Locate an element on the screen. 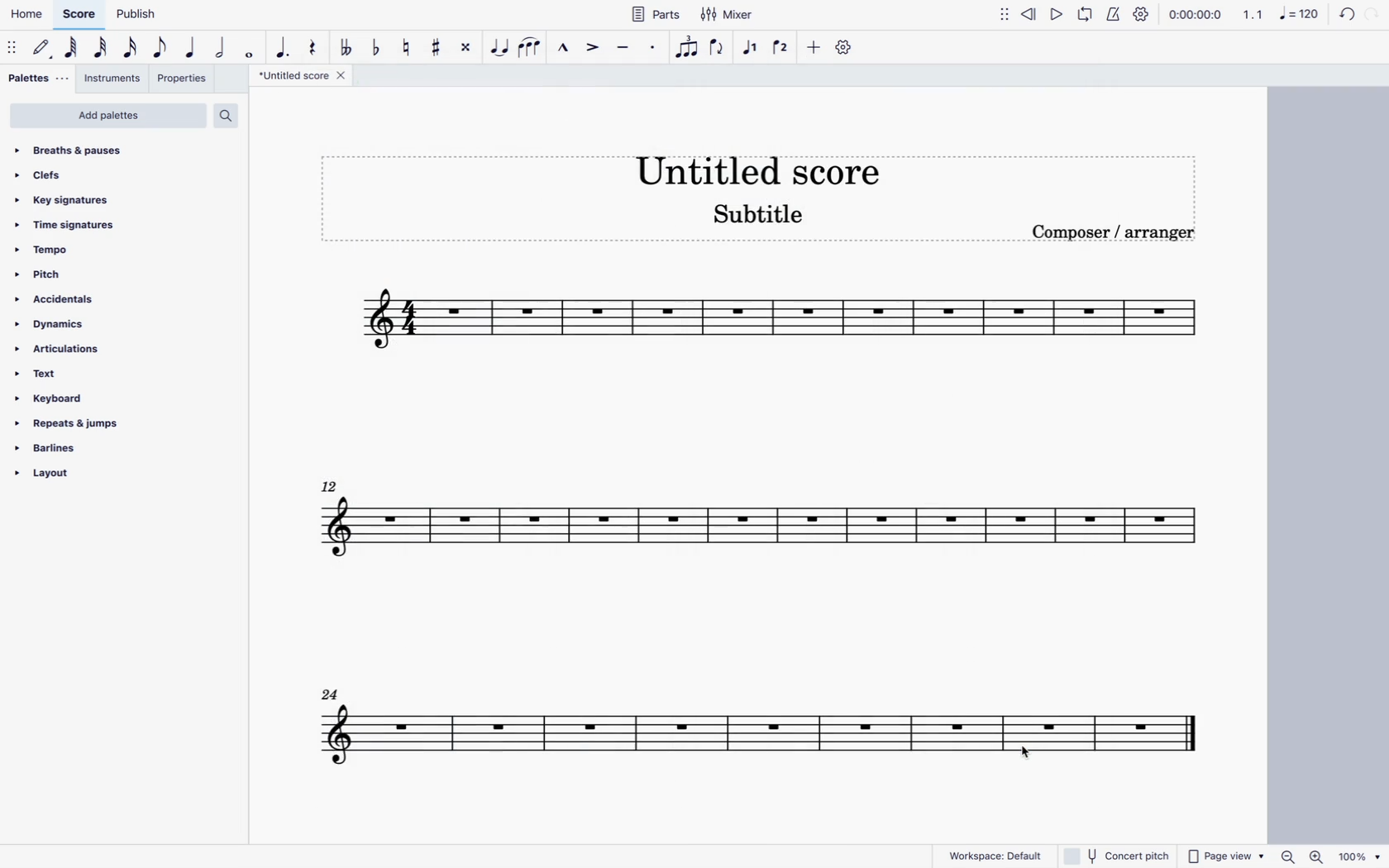 The height and width of the screenshot is (868, 1389). keyboard is located at coordinates (56, 398).